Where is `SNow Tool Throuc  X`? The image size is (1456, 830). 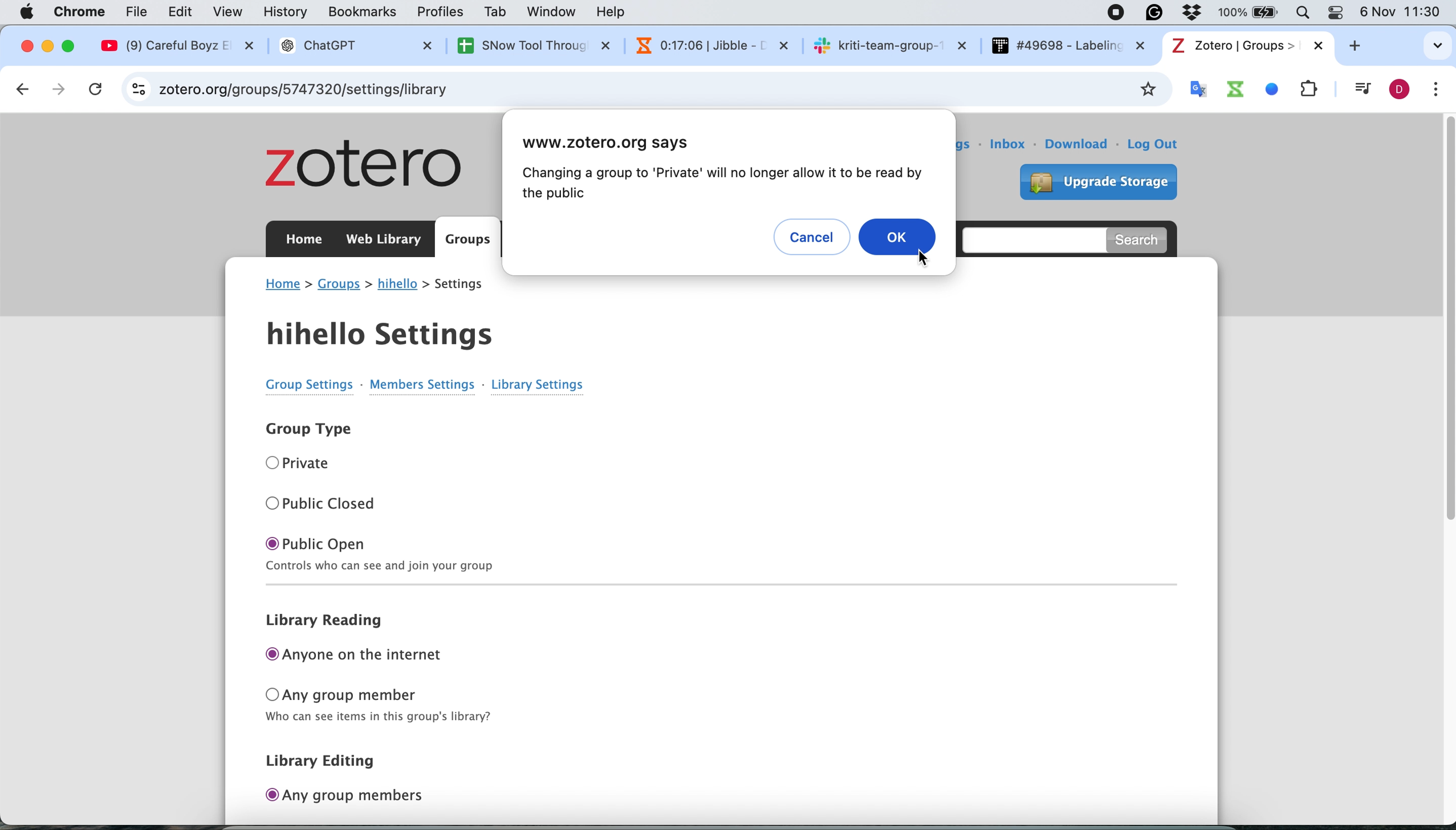 SNow Tool Throuc  X is located at coordinates (524, 45).